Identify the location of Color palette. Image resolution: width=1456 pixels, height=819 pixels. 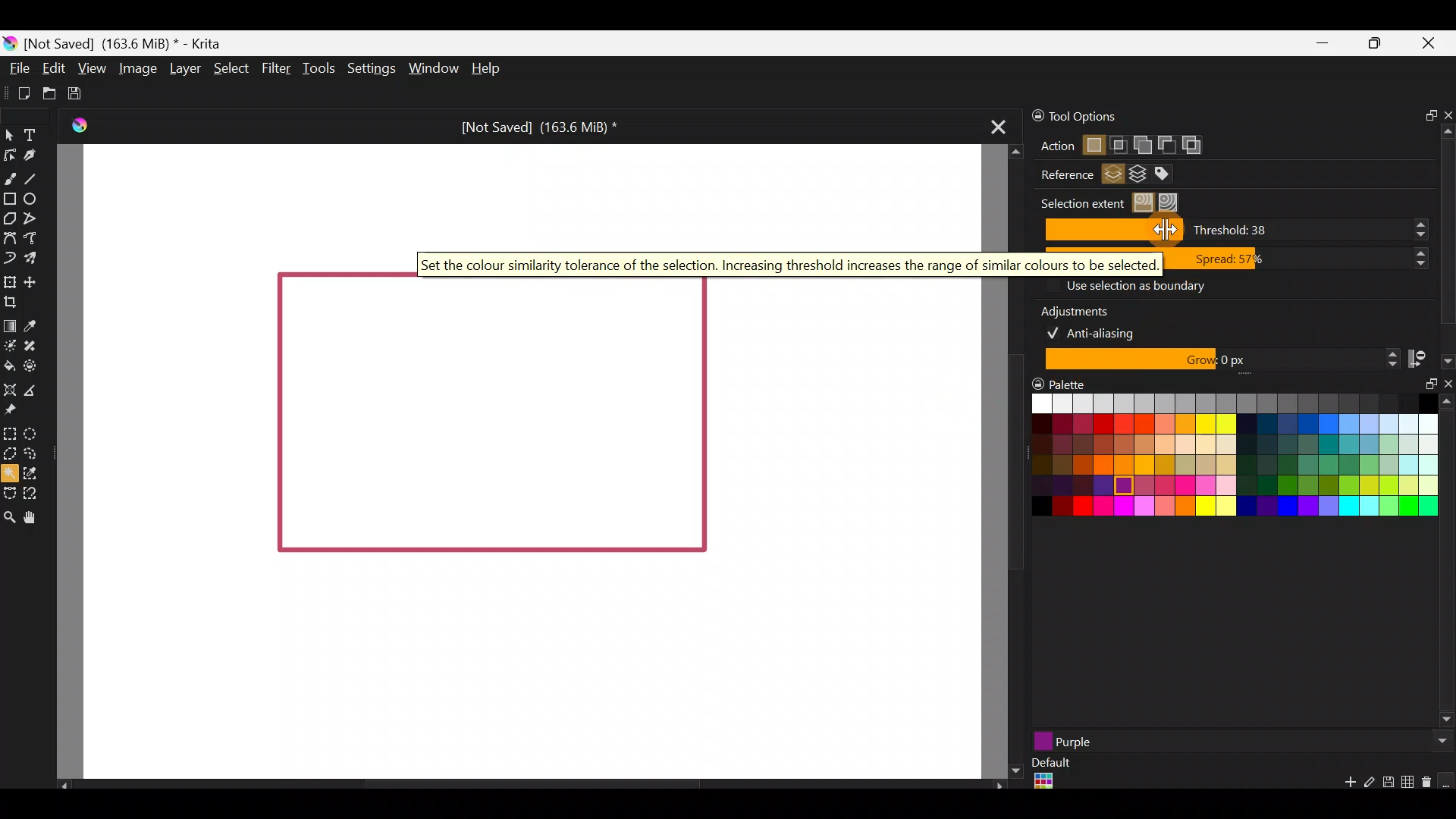
(1220, 458).